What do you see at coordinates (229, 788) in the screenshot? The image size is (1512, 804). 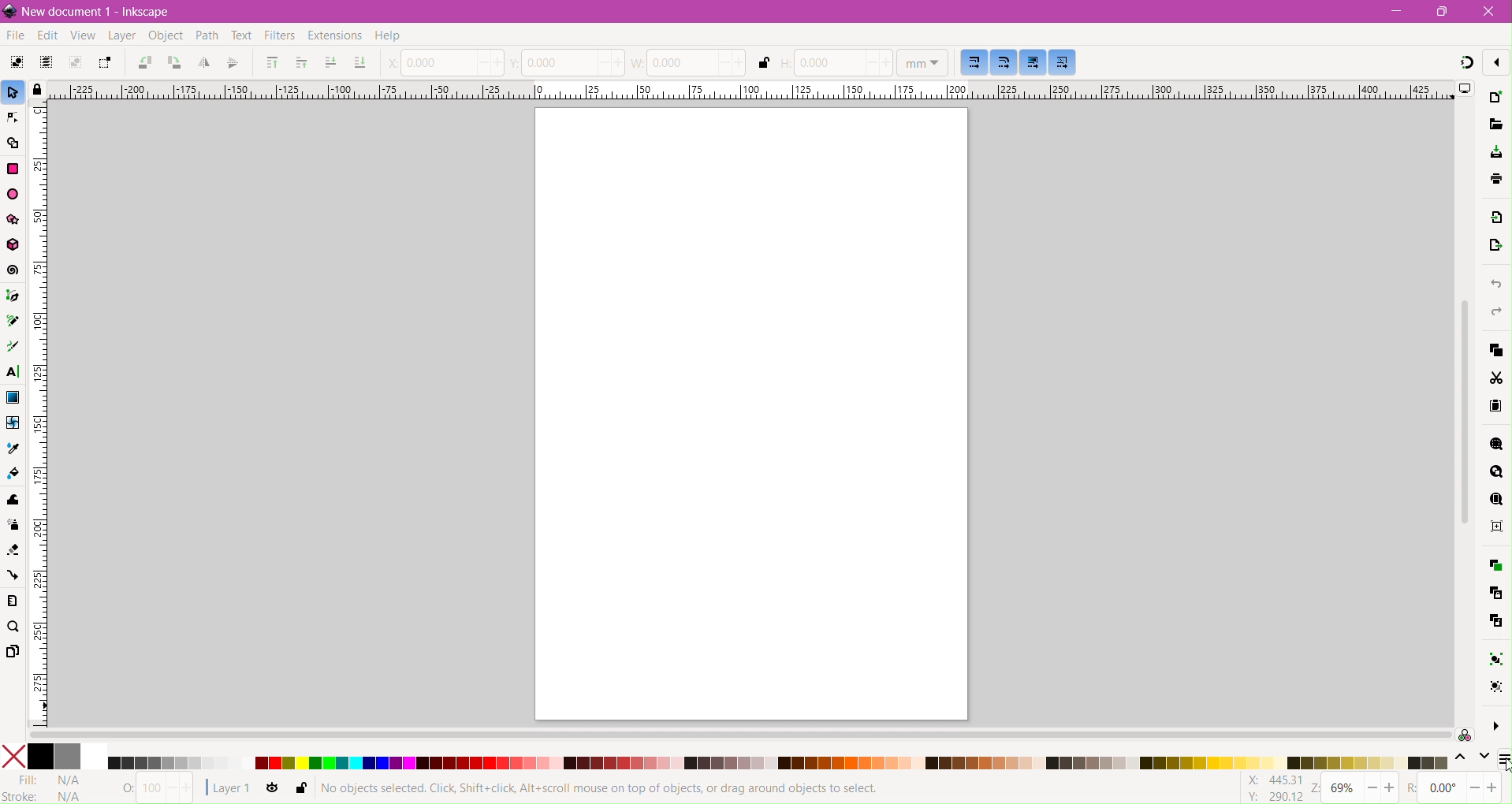 I see `Current Layer` at bounding box center [229, 788].